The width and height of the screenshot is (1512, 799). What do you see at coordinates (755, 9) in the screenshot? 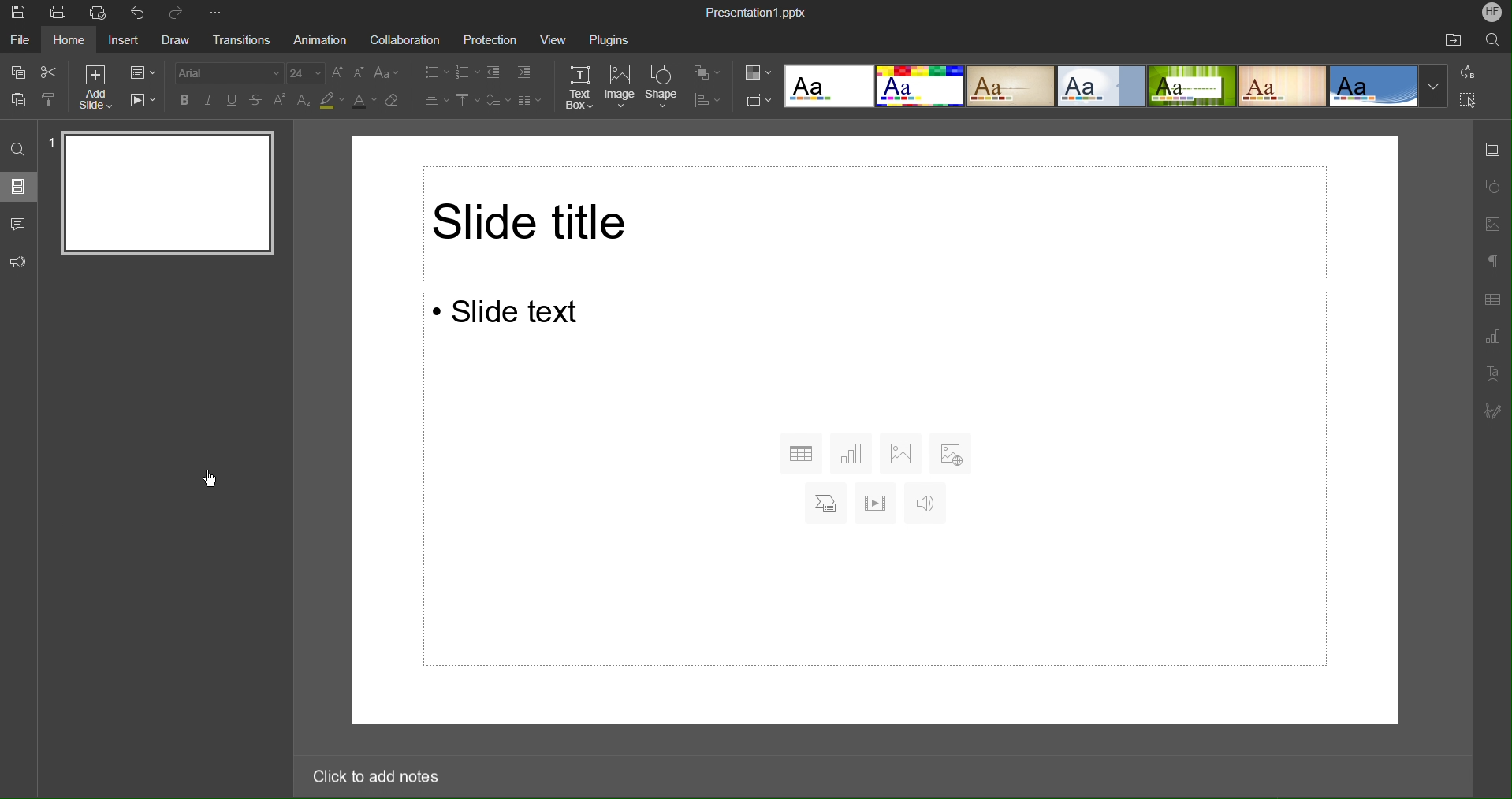
I see `Presentation1` at bounding box center [755, 9].